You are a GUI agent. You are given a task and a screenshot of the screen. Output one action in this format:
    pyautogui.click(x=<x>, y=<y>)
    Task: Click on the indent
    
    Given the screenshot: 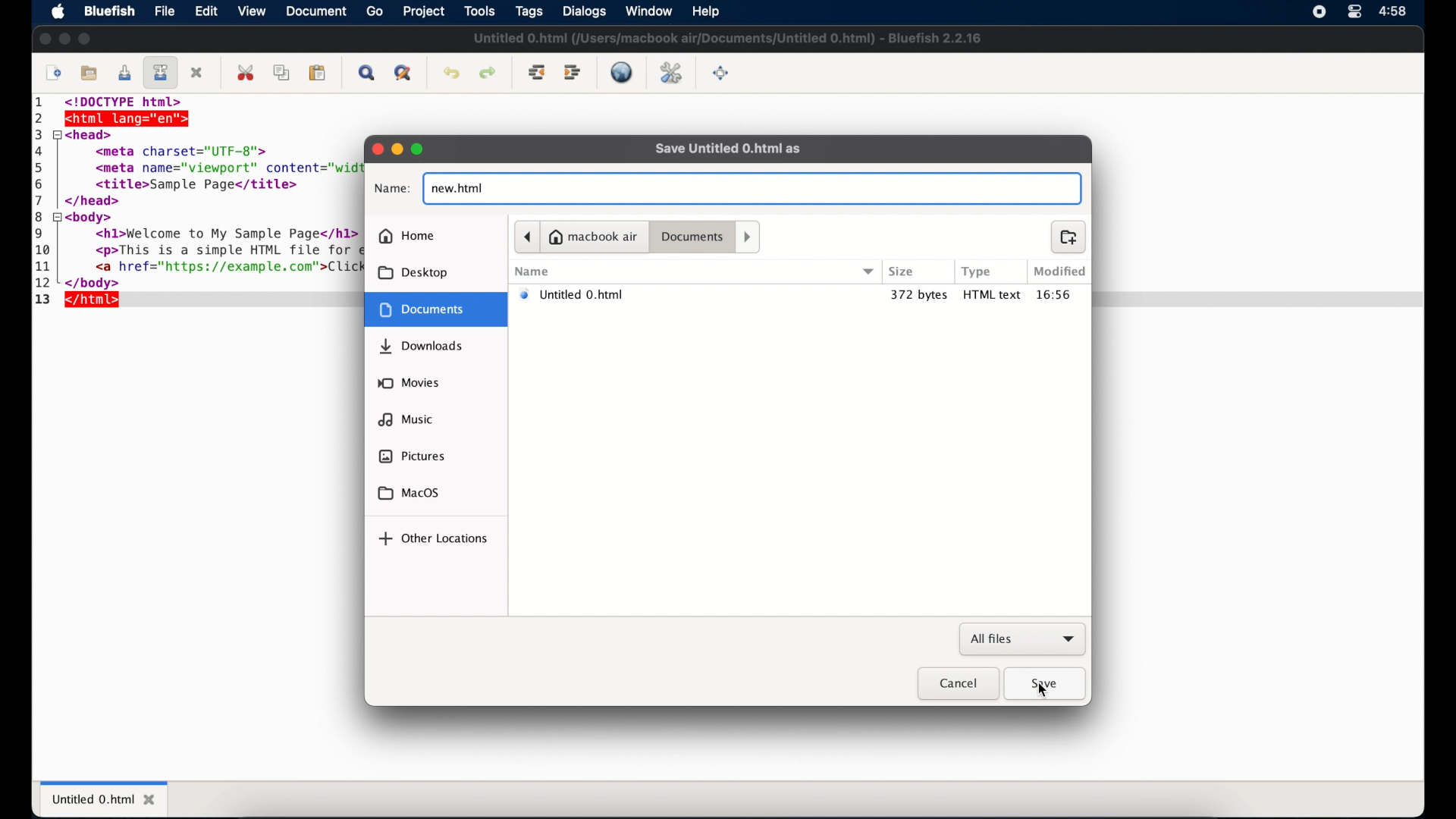 What is the action you would take?
    pyautogui.click(x=573, y=73)
    